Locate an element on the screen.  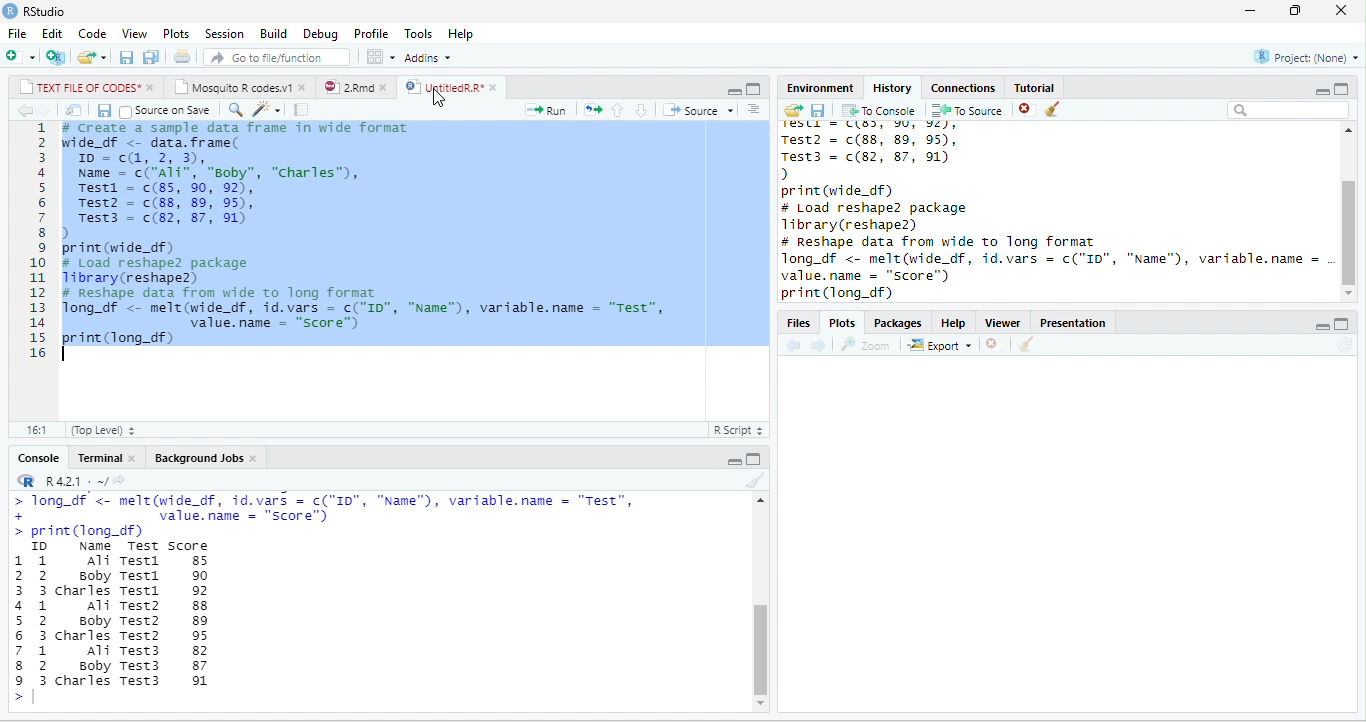
Source on Save is located at coordinates (165, 111).